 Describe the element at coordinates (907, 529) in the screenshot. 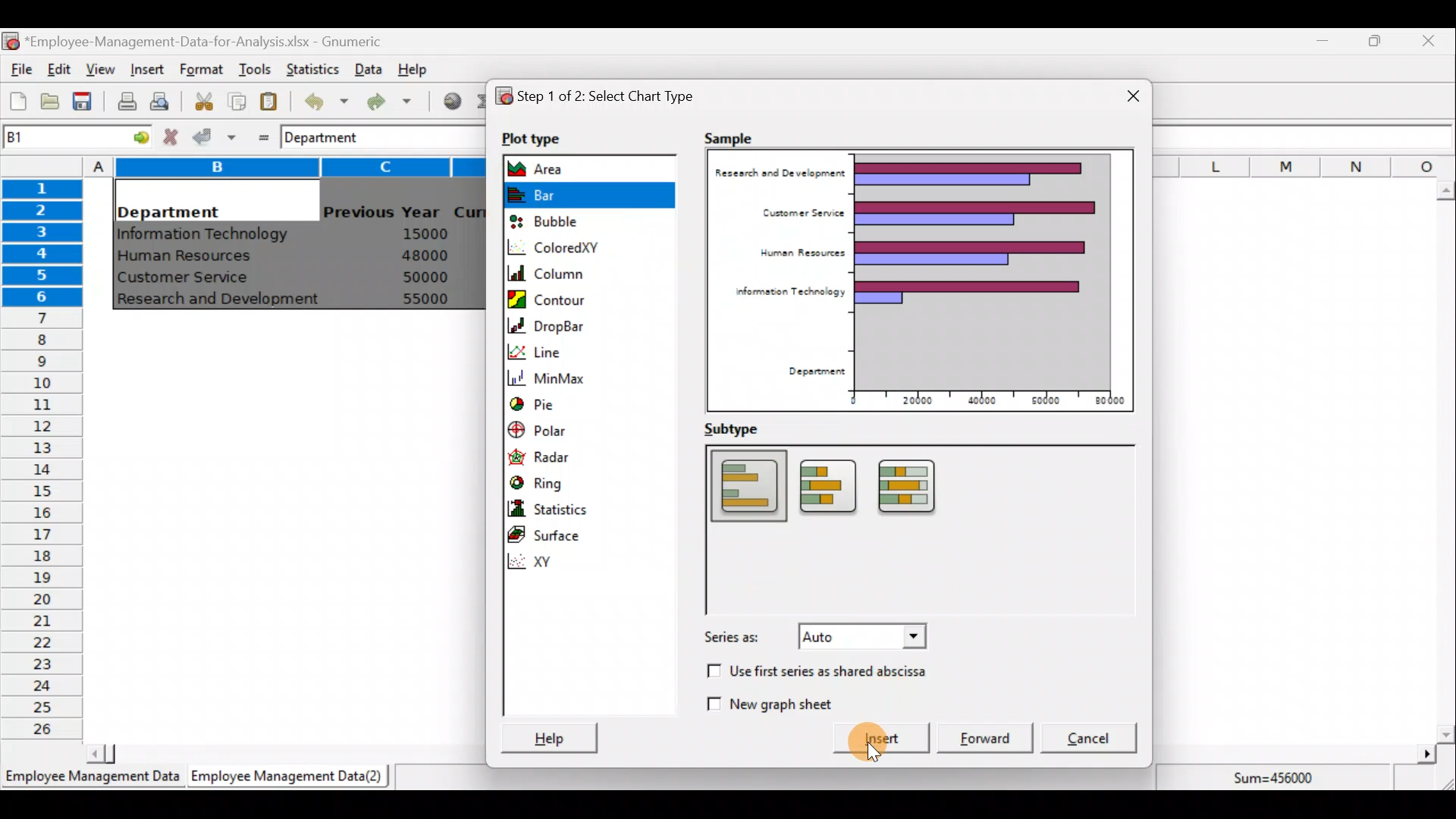

I see `Sub type Preview` at that location.